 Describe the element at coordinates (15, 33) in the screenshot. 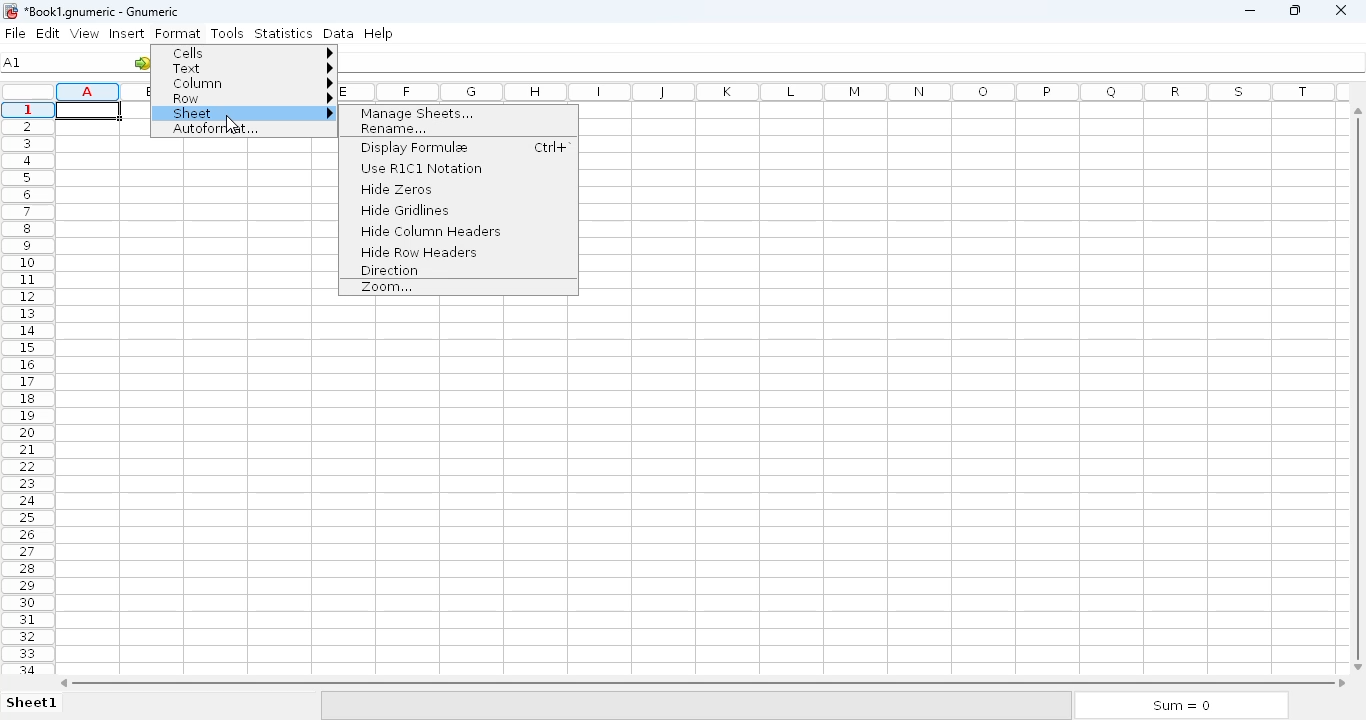

I see `file` at that location.